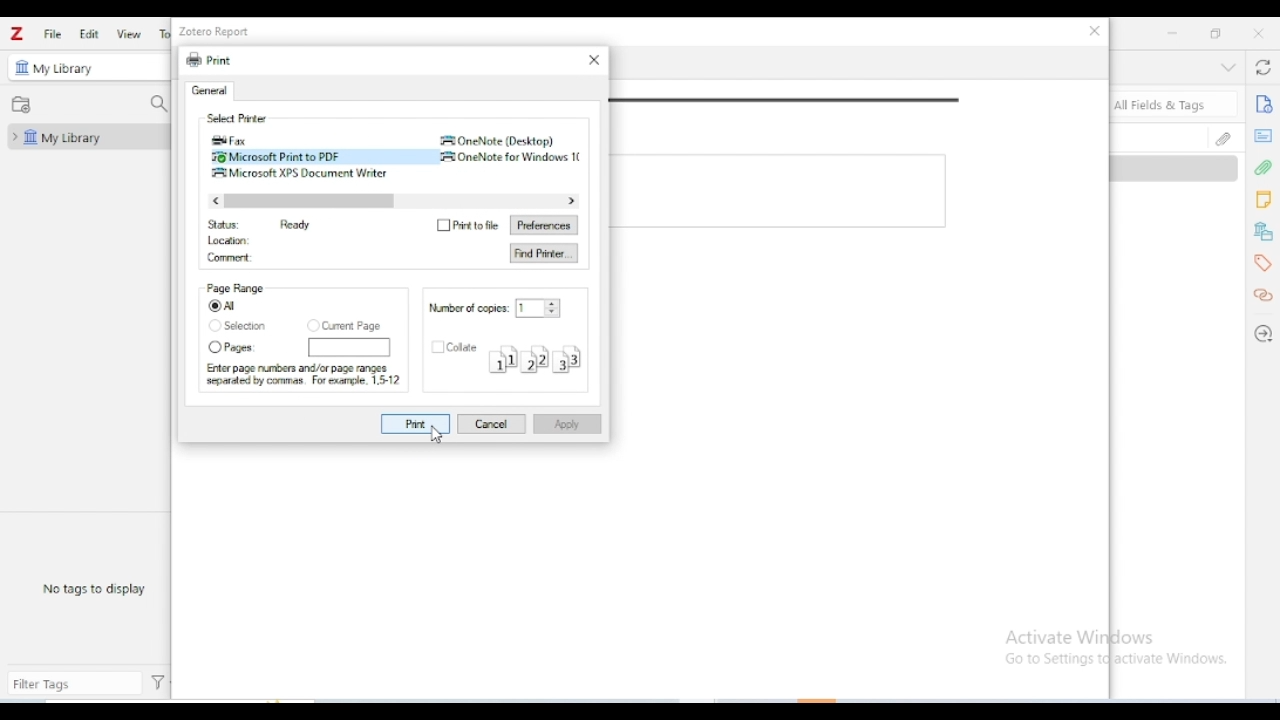  I want to click on general, so click(210, 90).